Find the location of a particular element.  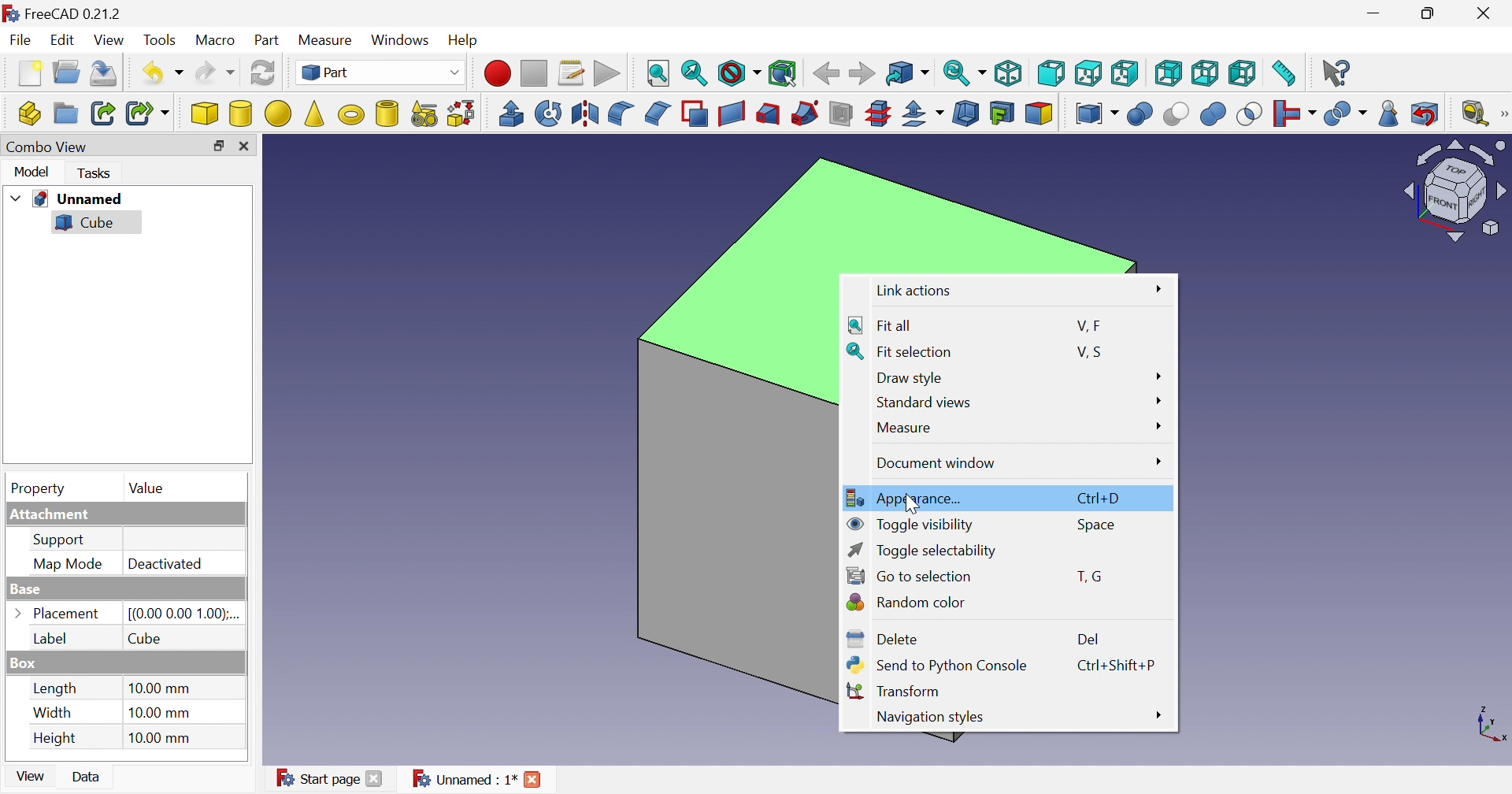

Undo is located at coordinates (163, 72).